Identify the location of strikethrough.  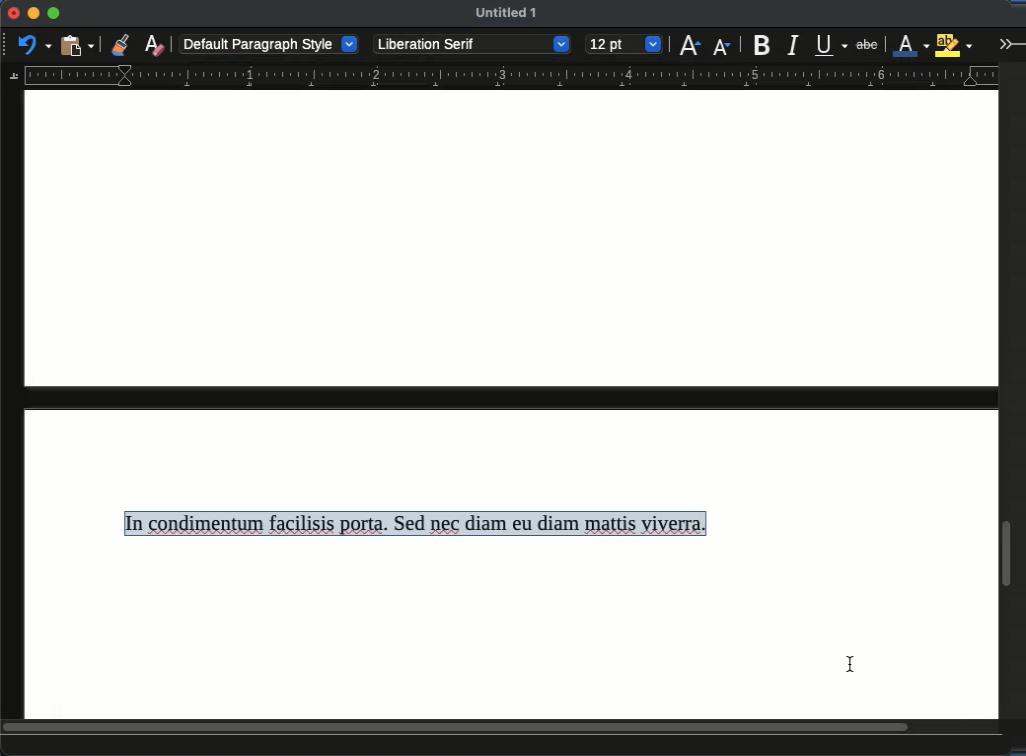
(867, 45).